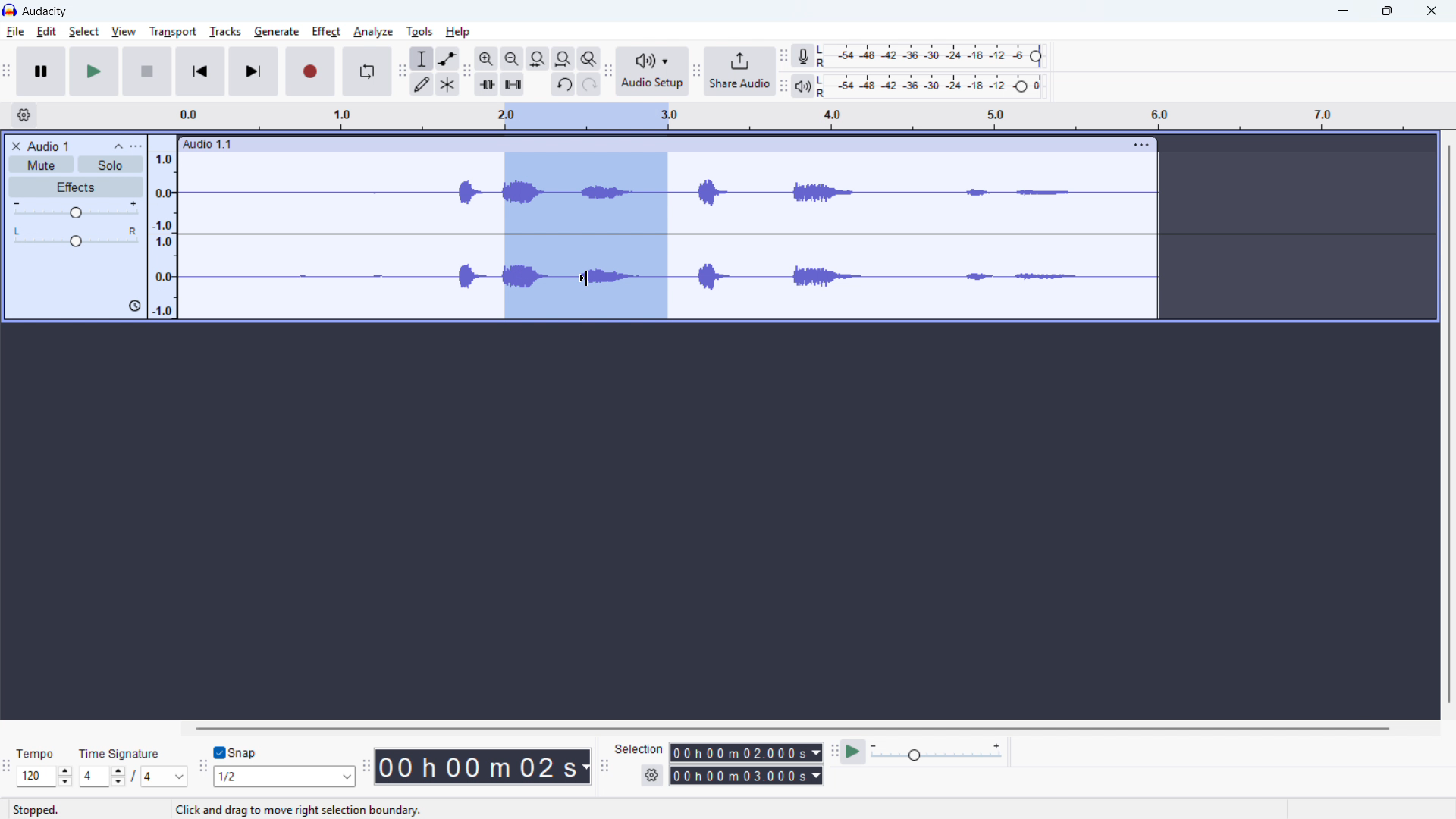 This screenshot has height=819, width=1456. Describe the element at coordinates (802, 86) in the screenshot. I see `playback metre` at that location.